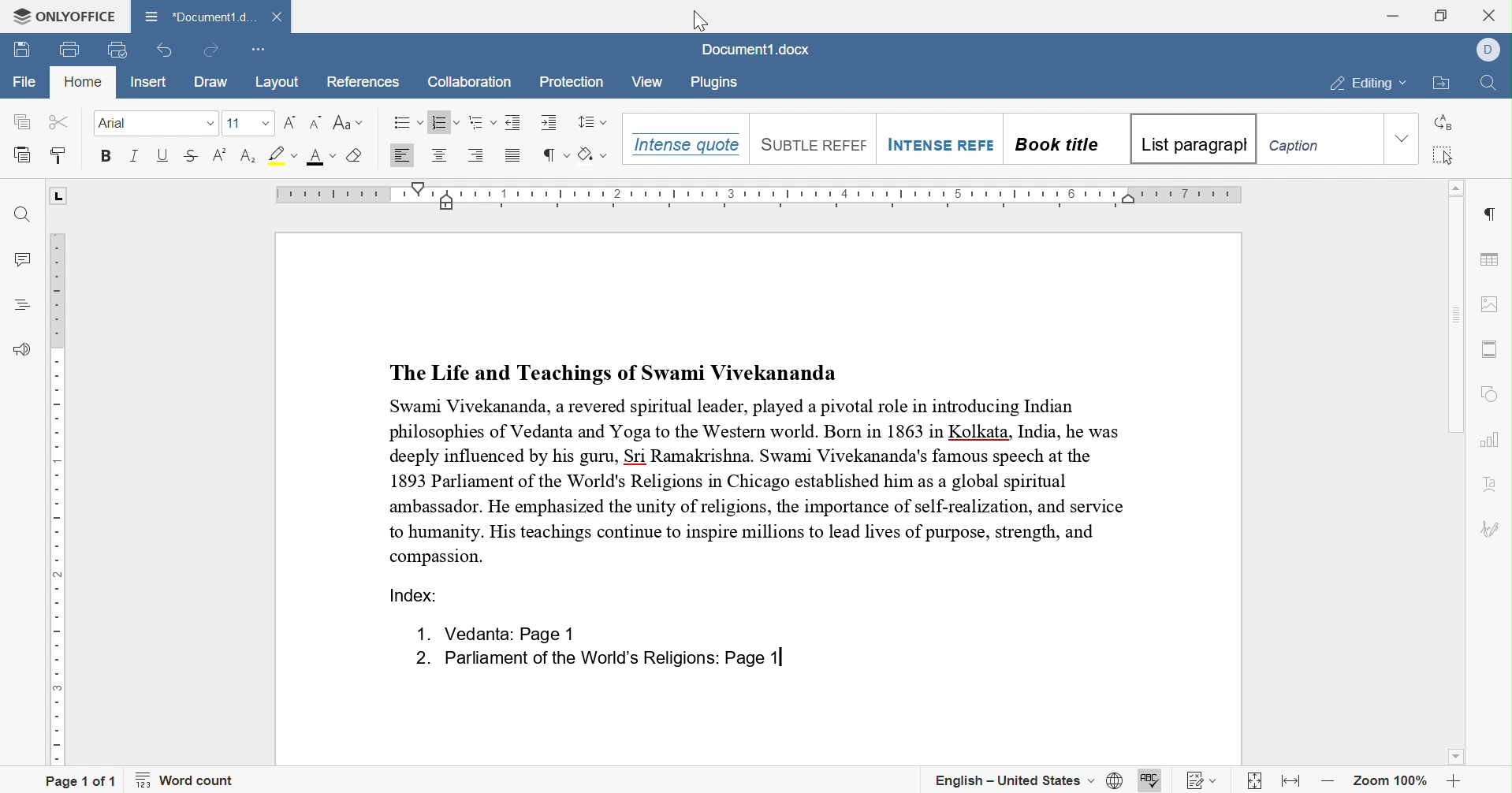  What do you see at coordinates (162, 154) in the screenshot?
I see `underline` at bounding box center [162, 154].